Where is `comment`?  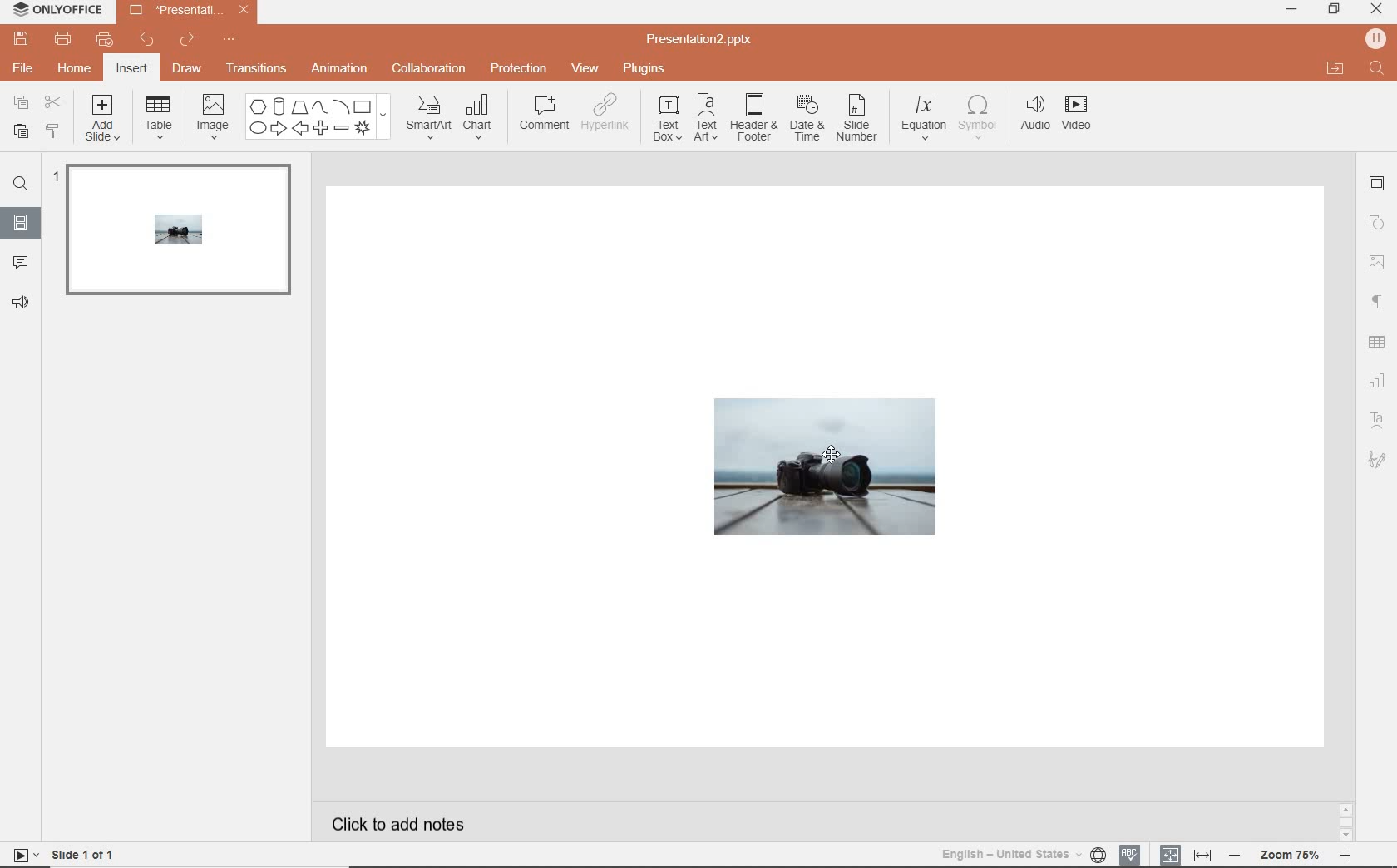
comment is located at coordinates (21, 264).